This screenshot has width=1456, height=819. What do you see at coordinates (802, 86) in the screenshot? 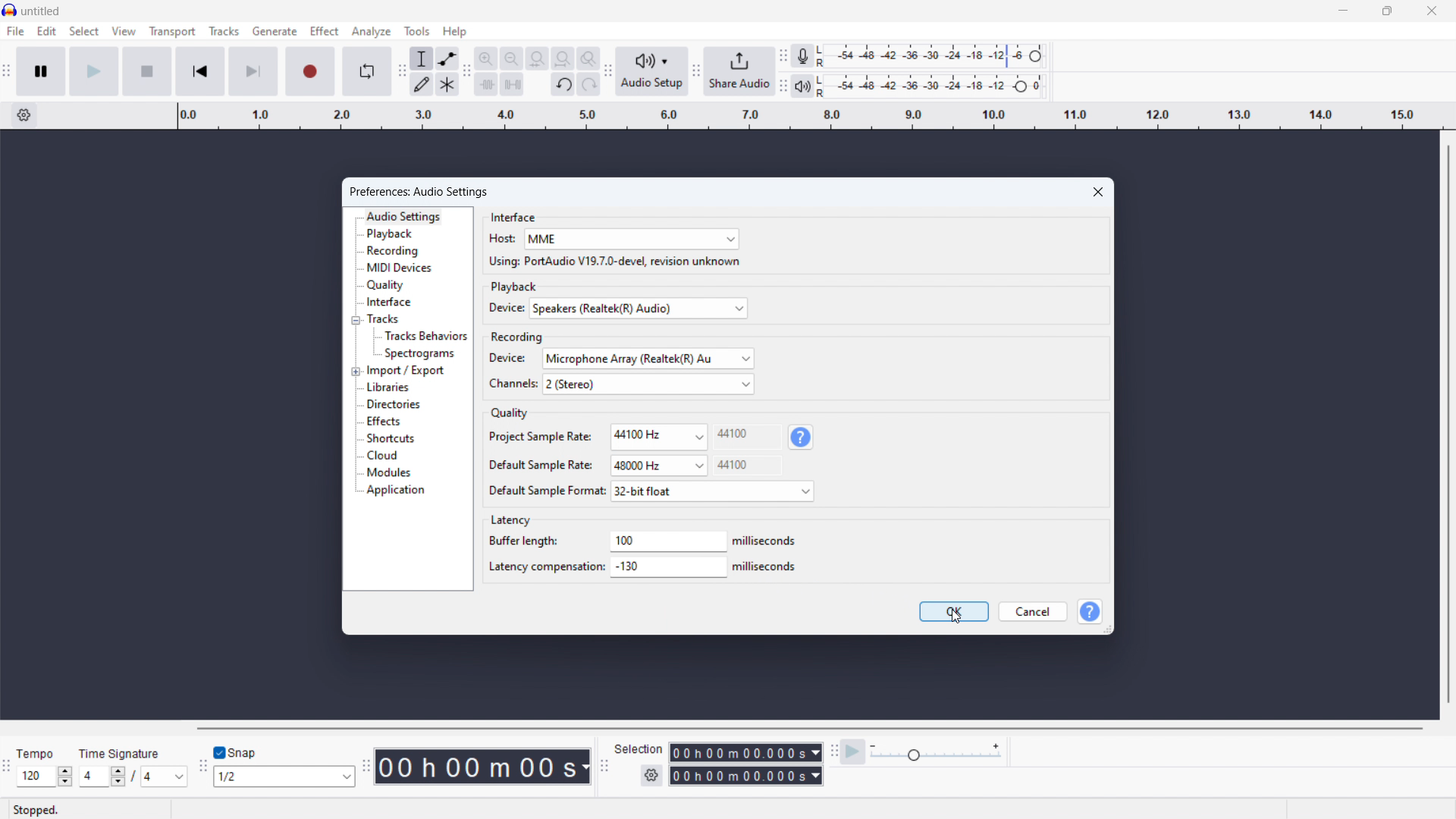
I see `playback meter toolbar` at bounding box center [802, 86].